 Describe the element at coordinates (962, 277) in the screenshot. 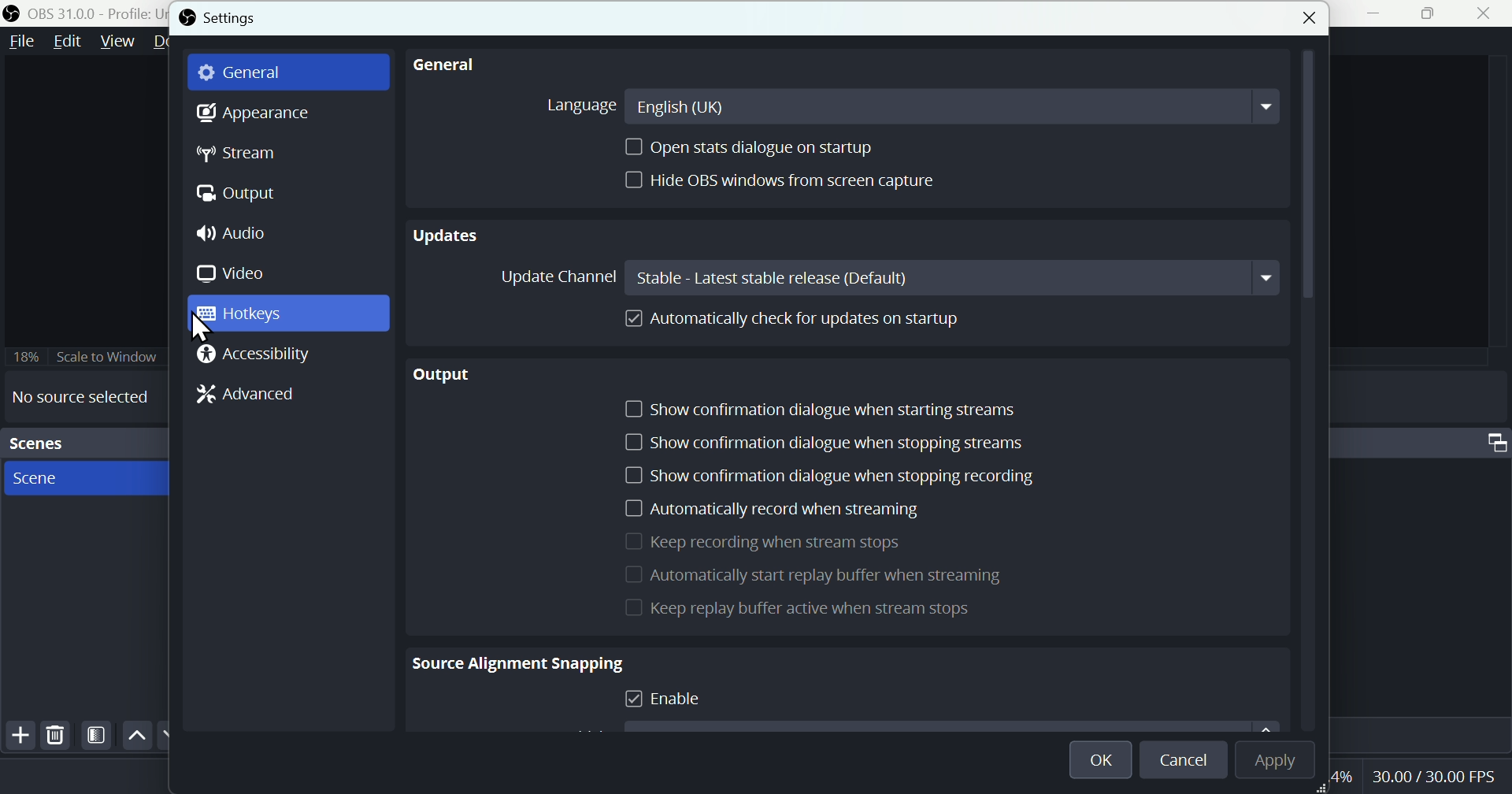

I see `Stable latest stable release` at that location.